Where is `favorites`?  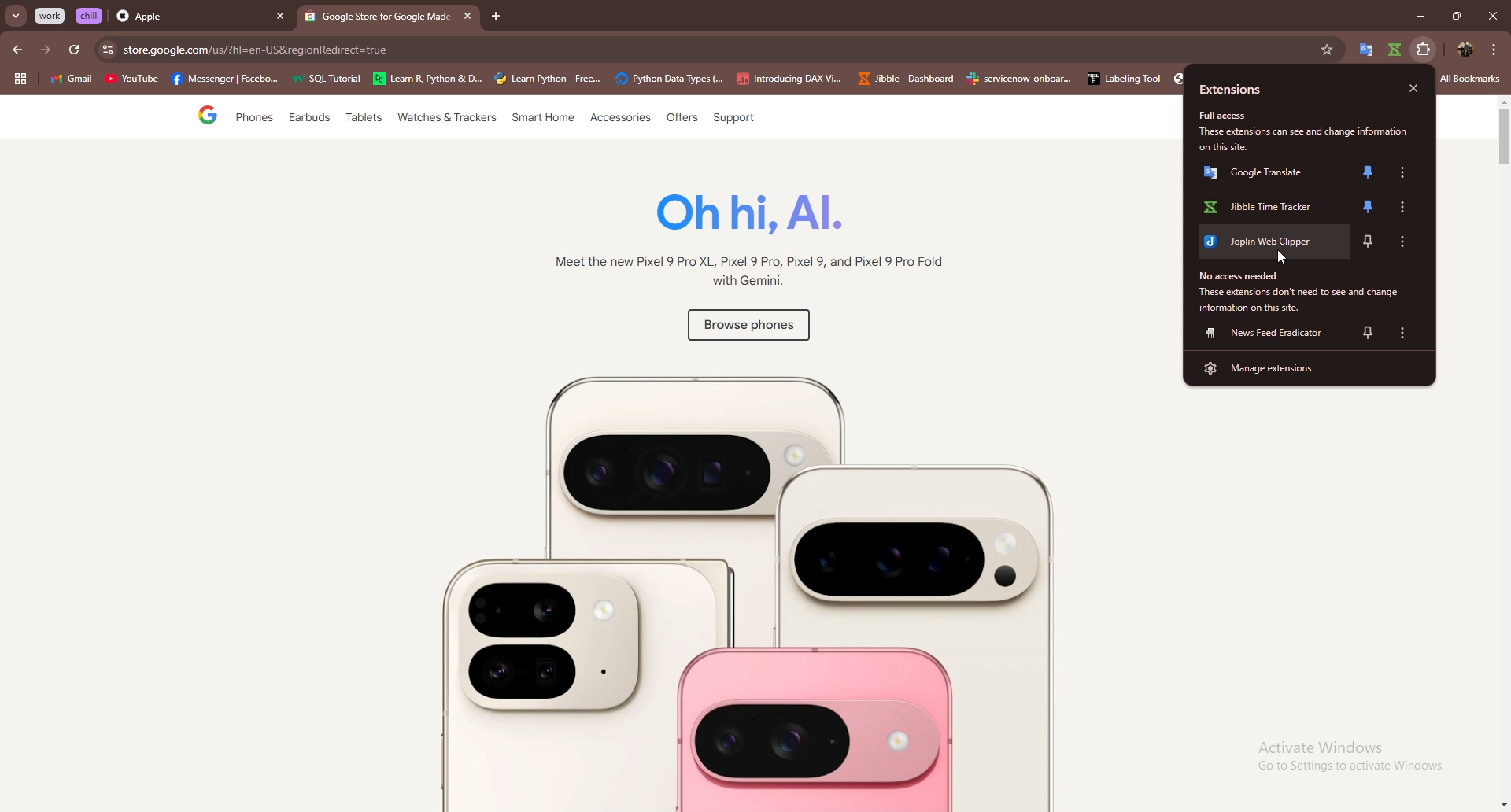
favorites is located at coordinates (1326, 50).